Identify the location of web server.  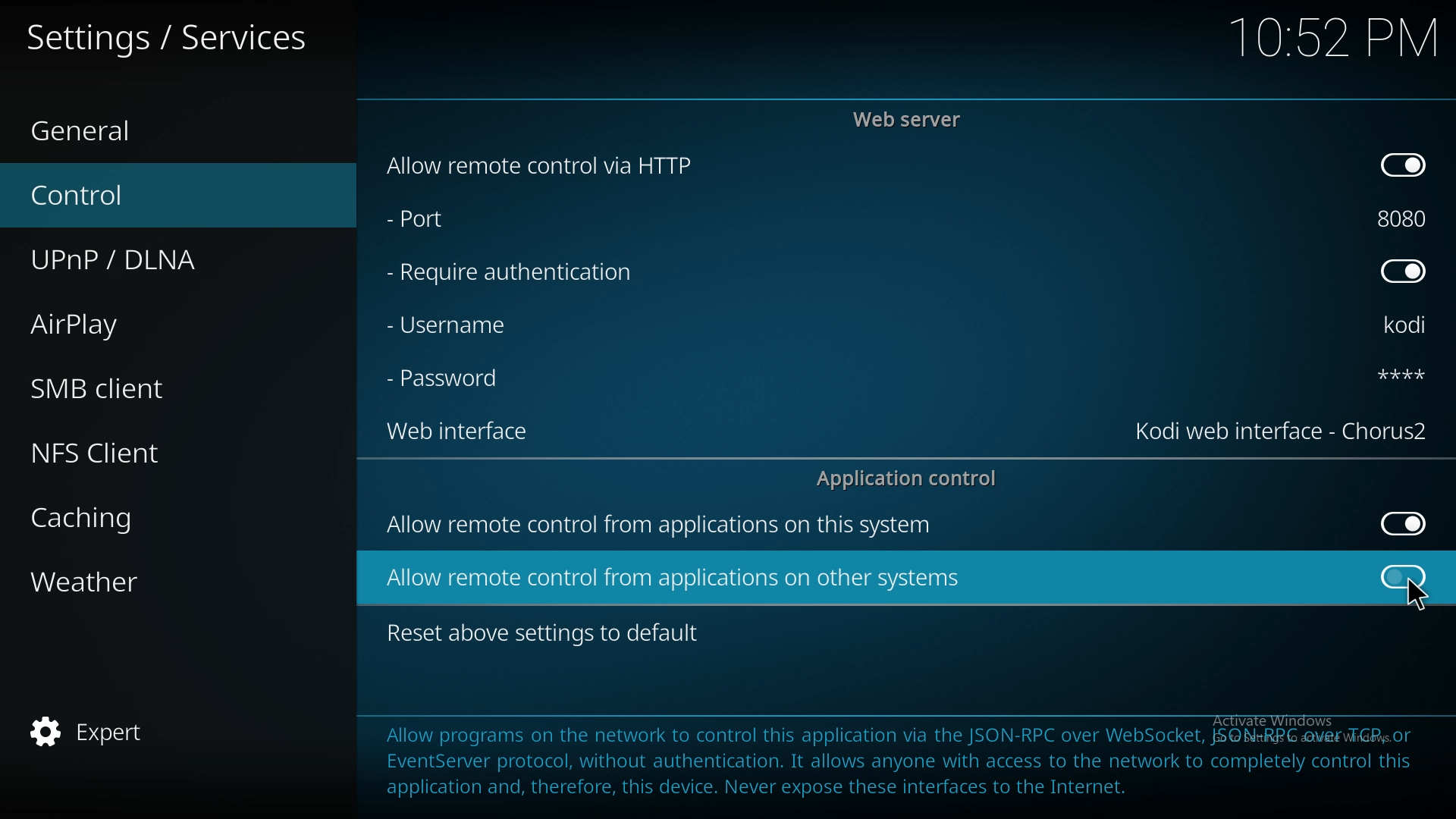
(912, 119).